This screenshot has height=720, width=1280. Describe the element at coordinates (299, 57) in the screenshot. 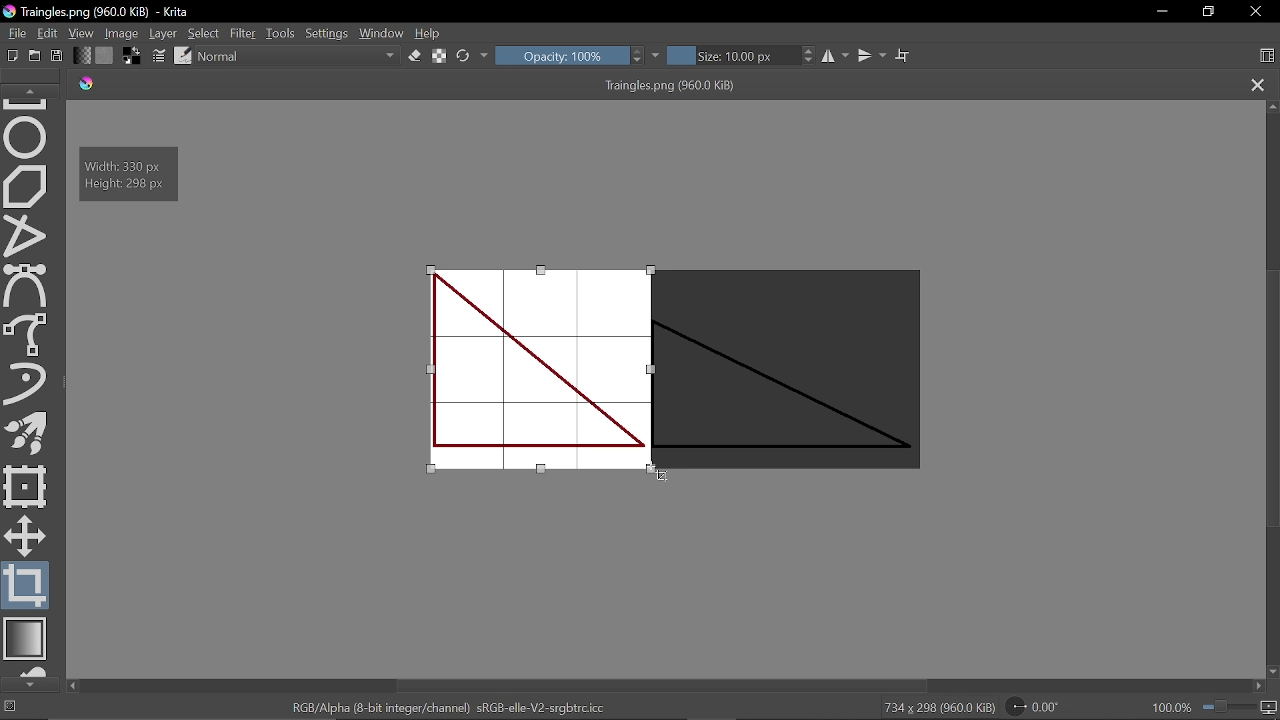

I see `Normal` at that location.